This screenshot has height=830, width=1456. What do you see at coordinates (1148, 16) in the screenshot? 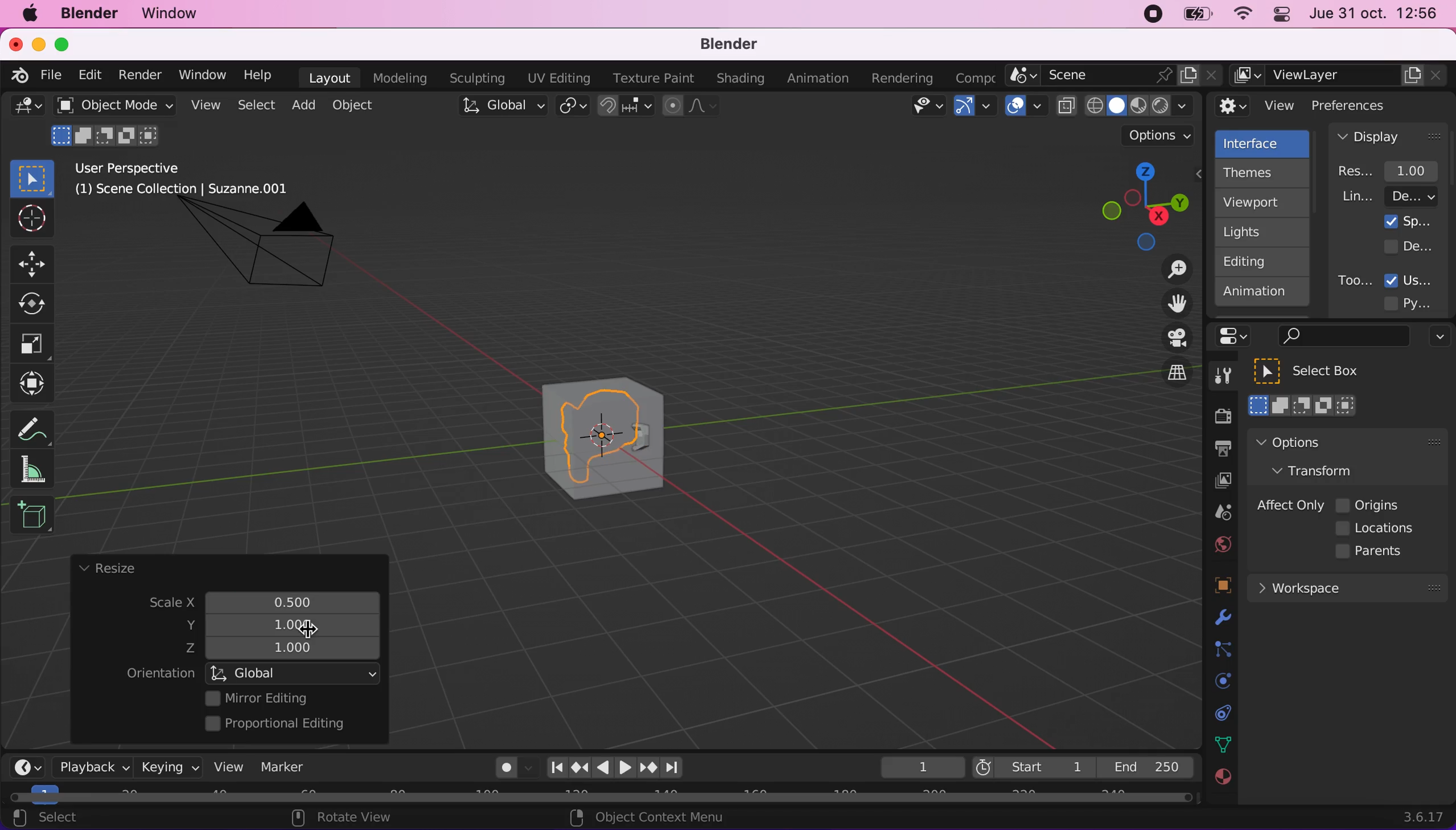
I see `recording stopped` at bounding box center [1148, 16].